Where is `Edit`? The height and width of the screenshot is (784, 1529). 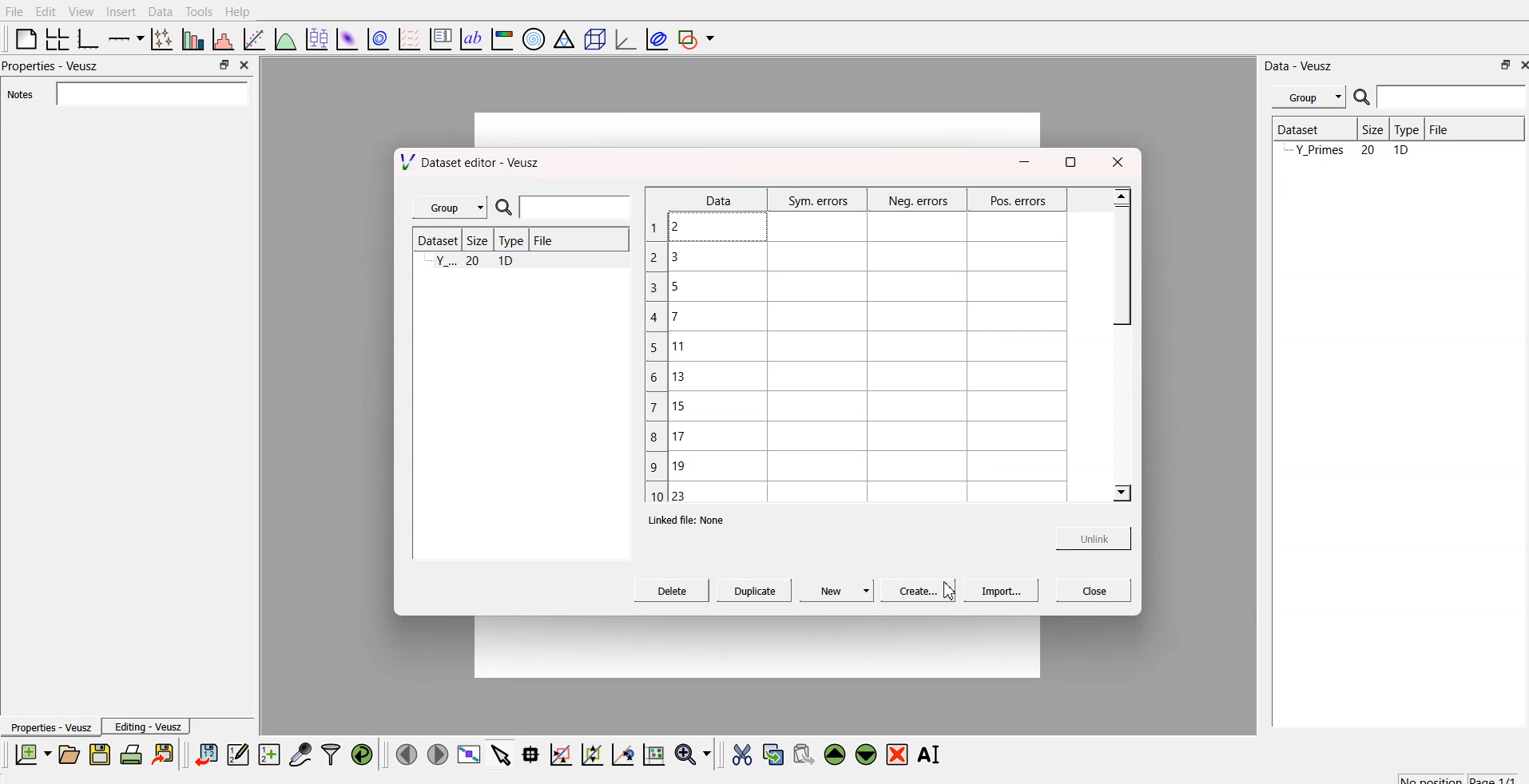 Edit is located at coordinates (43, 10).